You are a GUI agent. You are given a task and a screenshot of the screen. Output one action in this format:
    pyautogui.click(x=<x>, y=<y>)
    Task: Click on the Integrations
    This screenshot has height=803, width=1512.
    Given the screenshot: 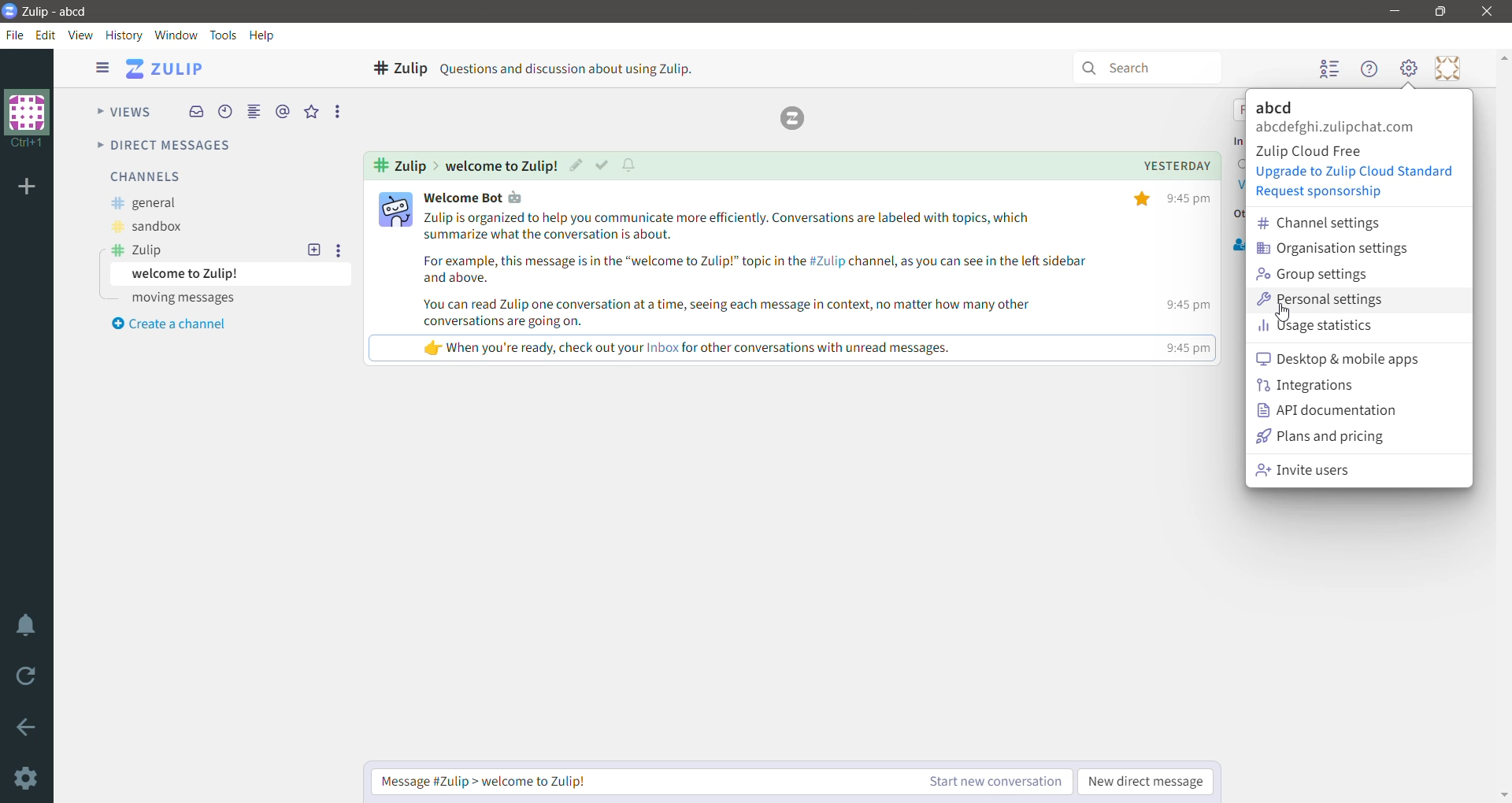 What is the action you would take?
    pyautogui.click(x=1310, y=386)
    